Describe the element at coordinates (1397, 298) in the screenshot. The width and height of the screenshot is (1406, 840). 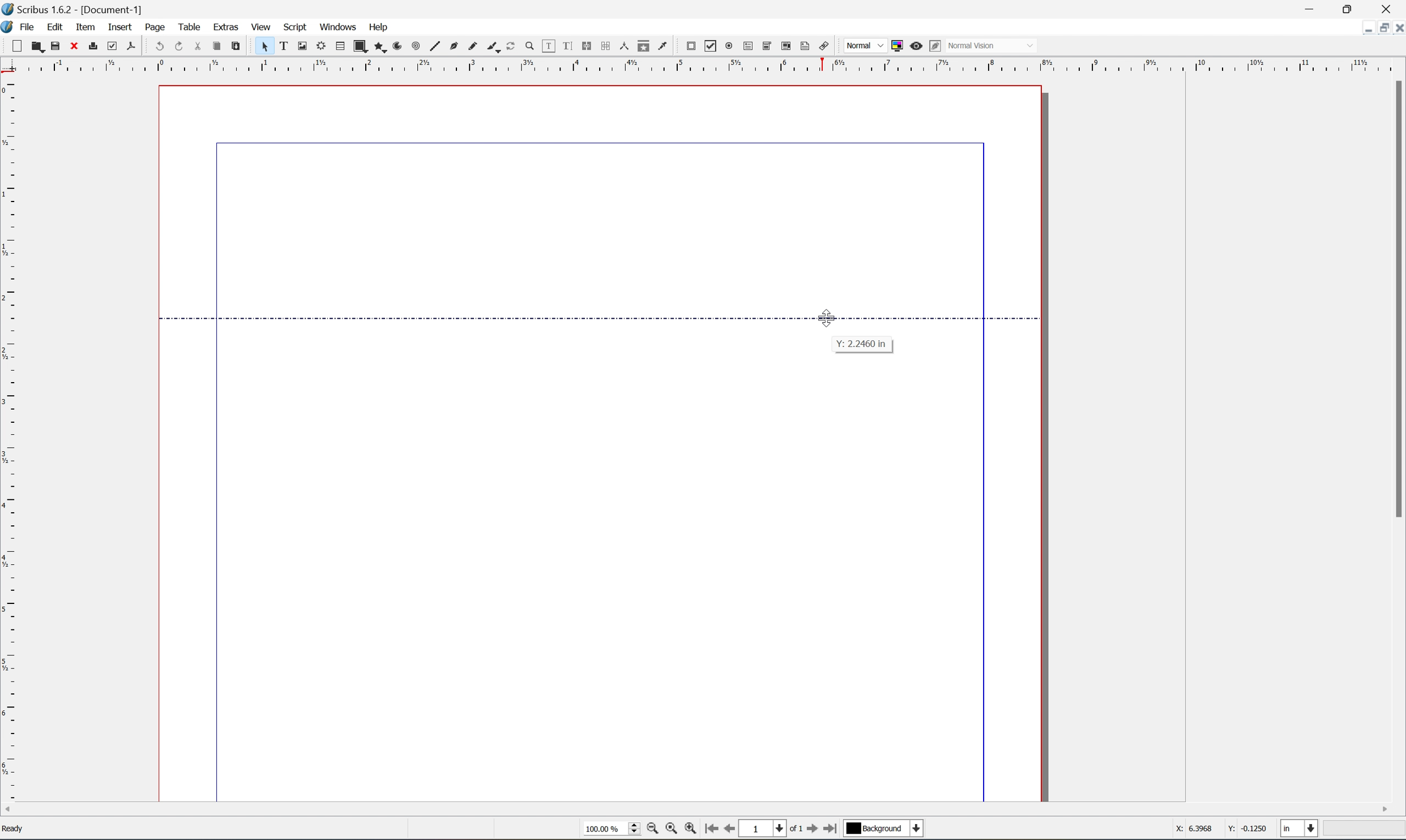
I see `scroll bar` at that location.